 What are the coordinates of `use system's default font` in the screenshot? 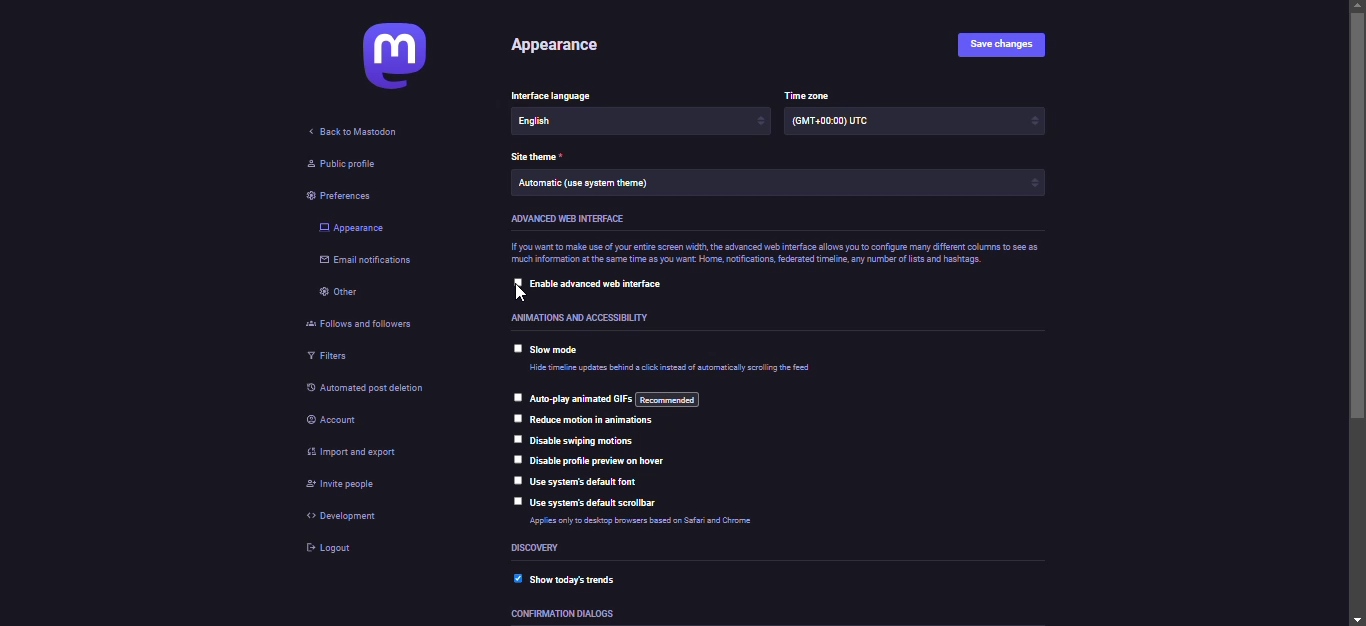 It's located at (589, 480).